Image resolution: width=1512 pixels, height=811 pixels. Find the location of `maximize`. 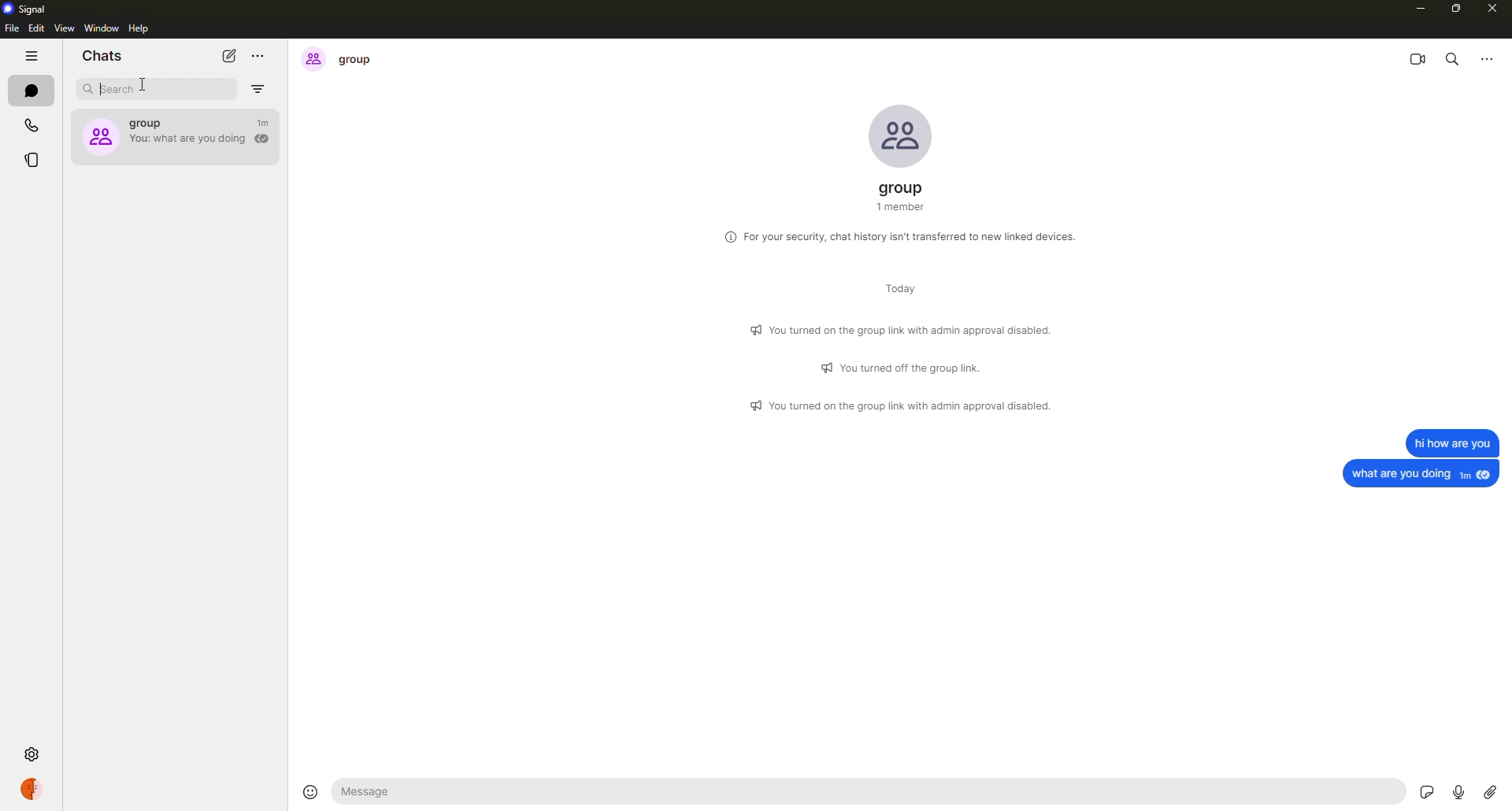

maximize is located at coordinates (1458, 9).